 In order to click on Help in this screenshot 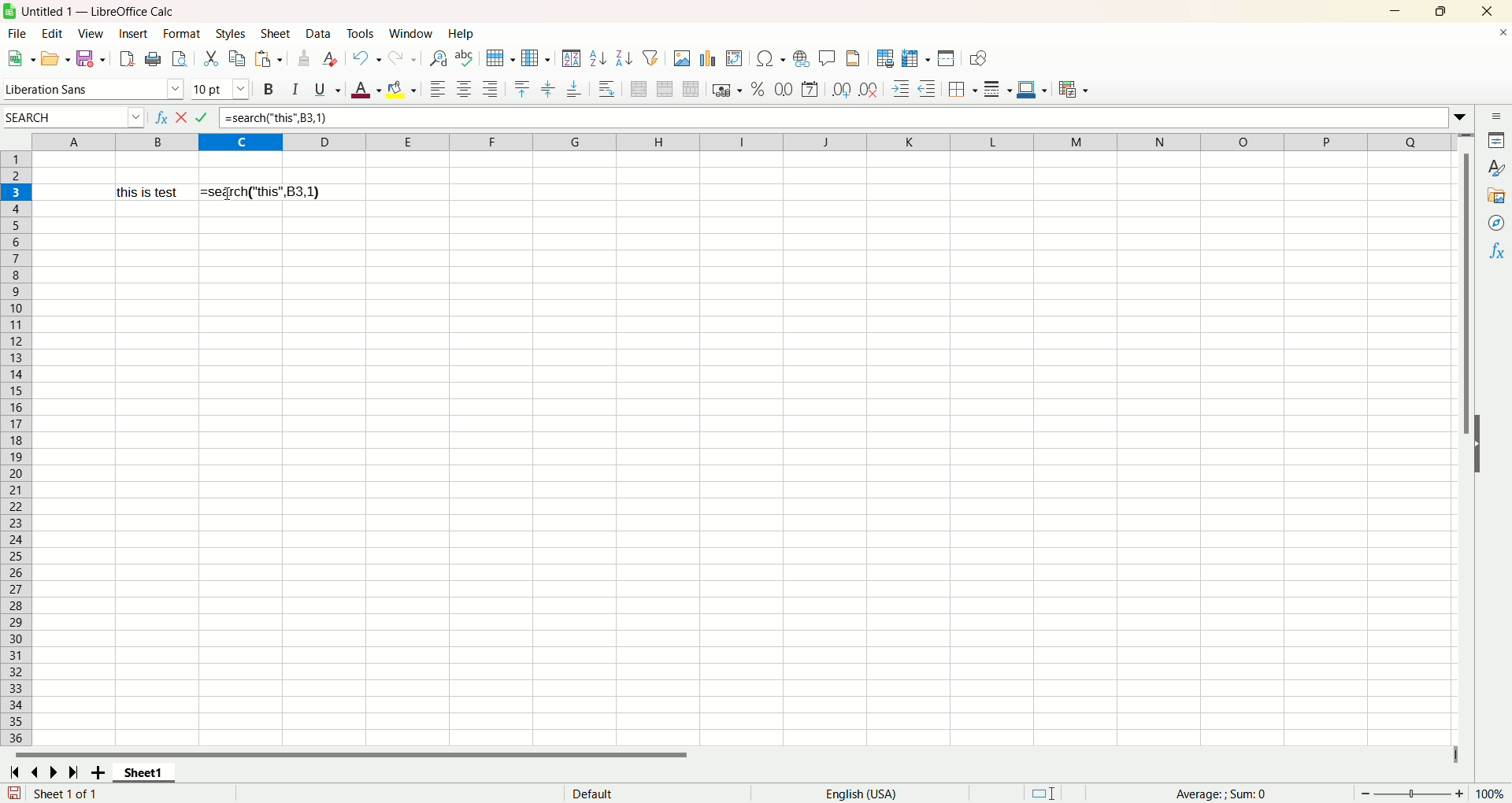, I will do `click(462, 35)`.